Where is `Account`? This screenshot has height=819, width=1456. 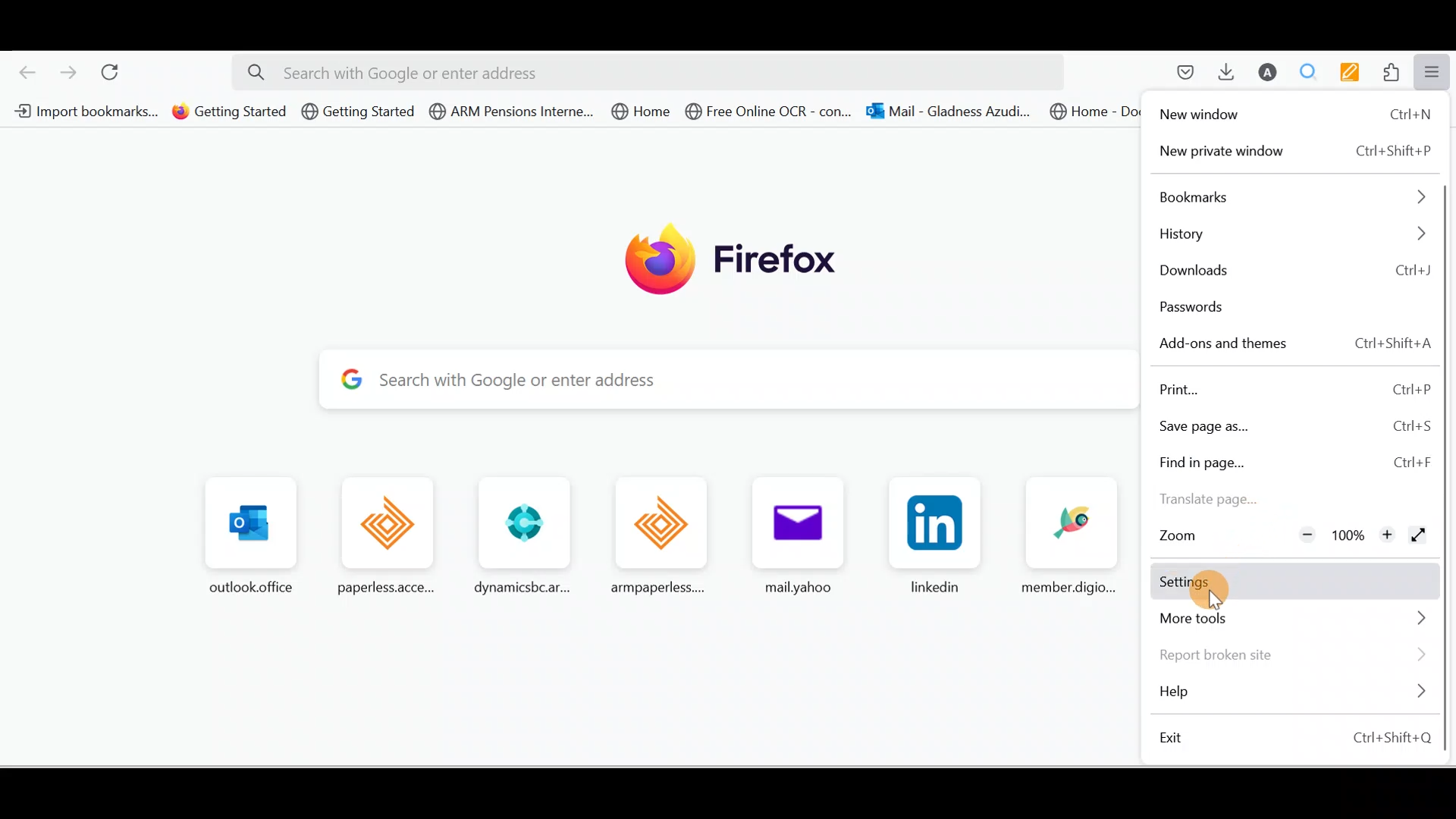 Account is located at coordinates (1264, 72).